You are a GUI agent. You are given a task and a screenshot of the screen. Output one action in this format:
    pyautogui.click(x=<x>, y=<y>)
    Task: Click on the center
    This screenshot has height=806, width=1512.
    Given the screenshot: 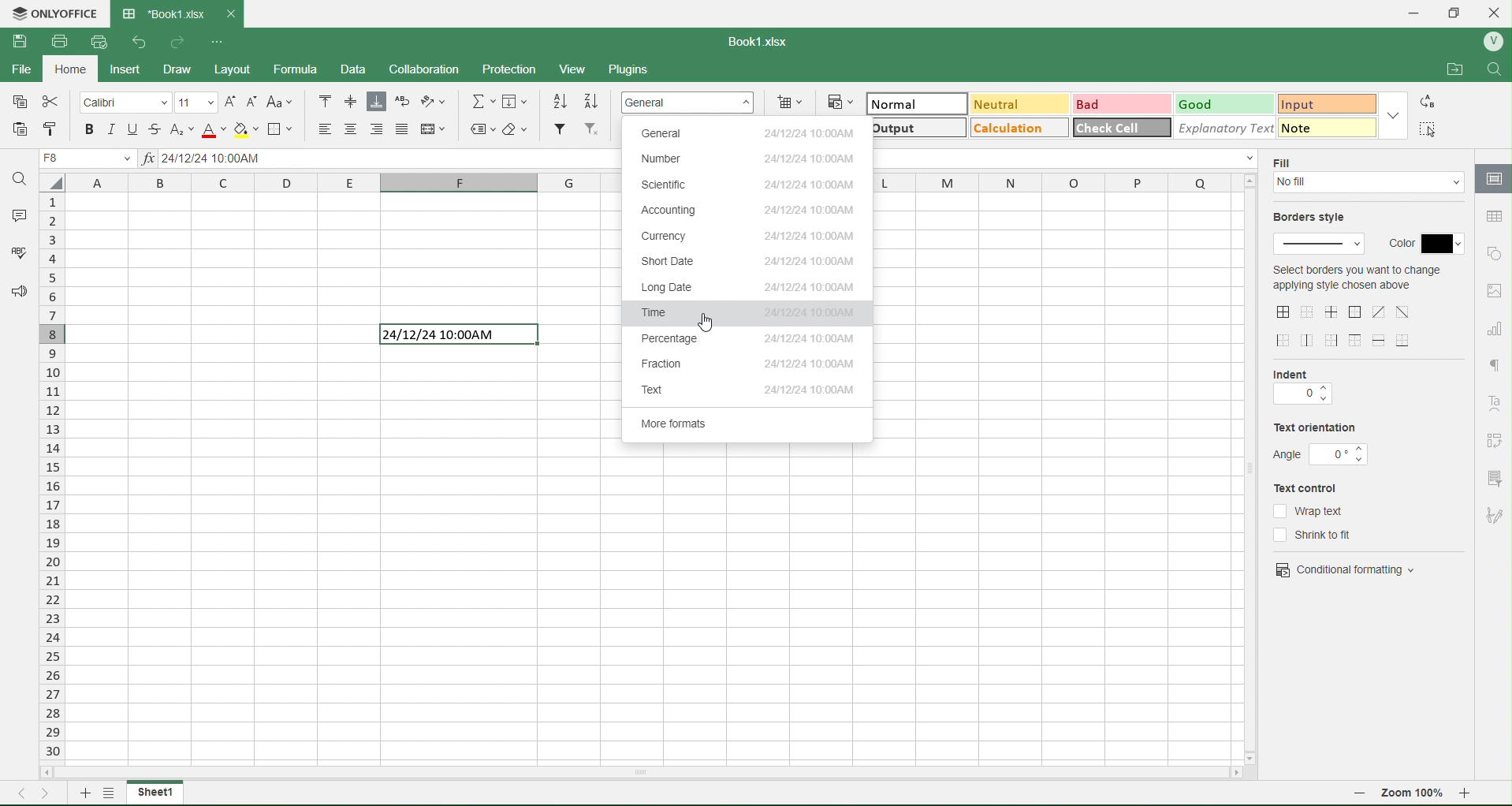 What is the action you would take?
    pyautogui.click(x=1403, y=311)
    